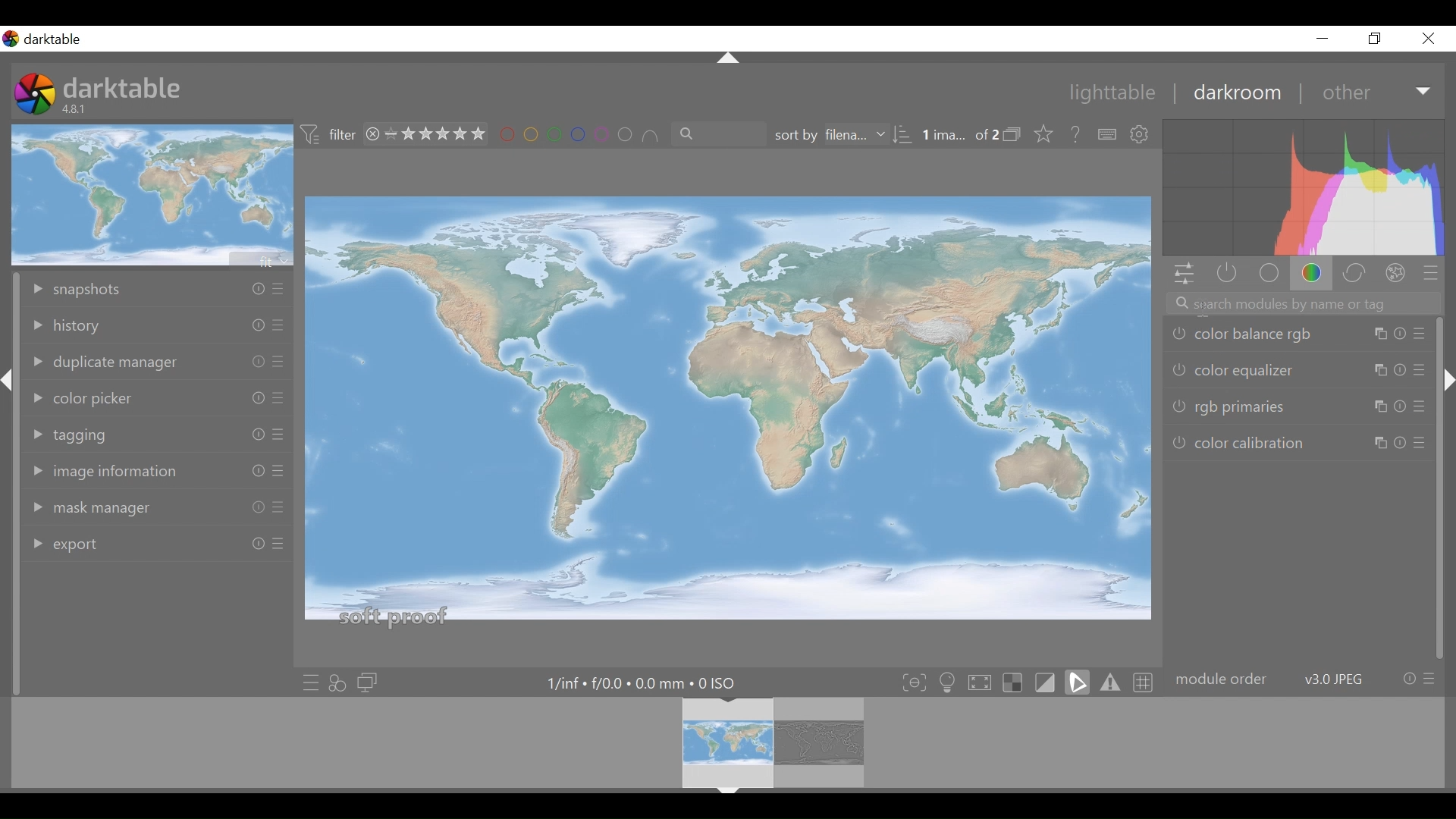  I want to click on toggle high quality processing, so click(979, 680).